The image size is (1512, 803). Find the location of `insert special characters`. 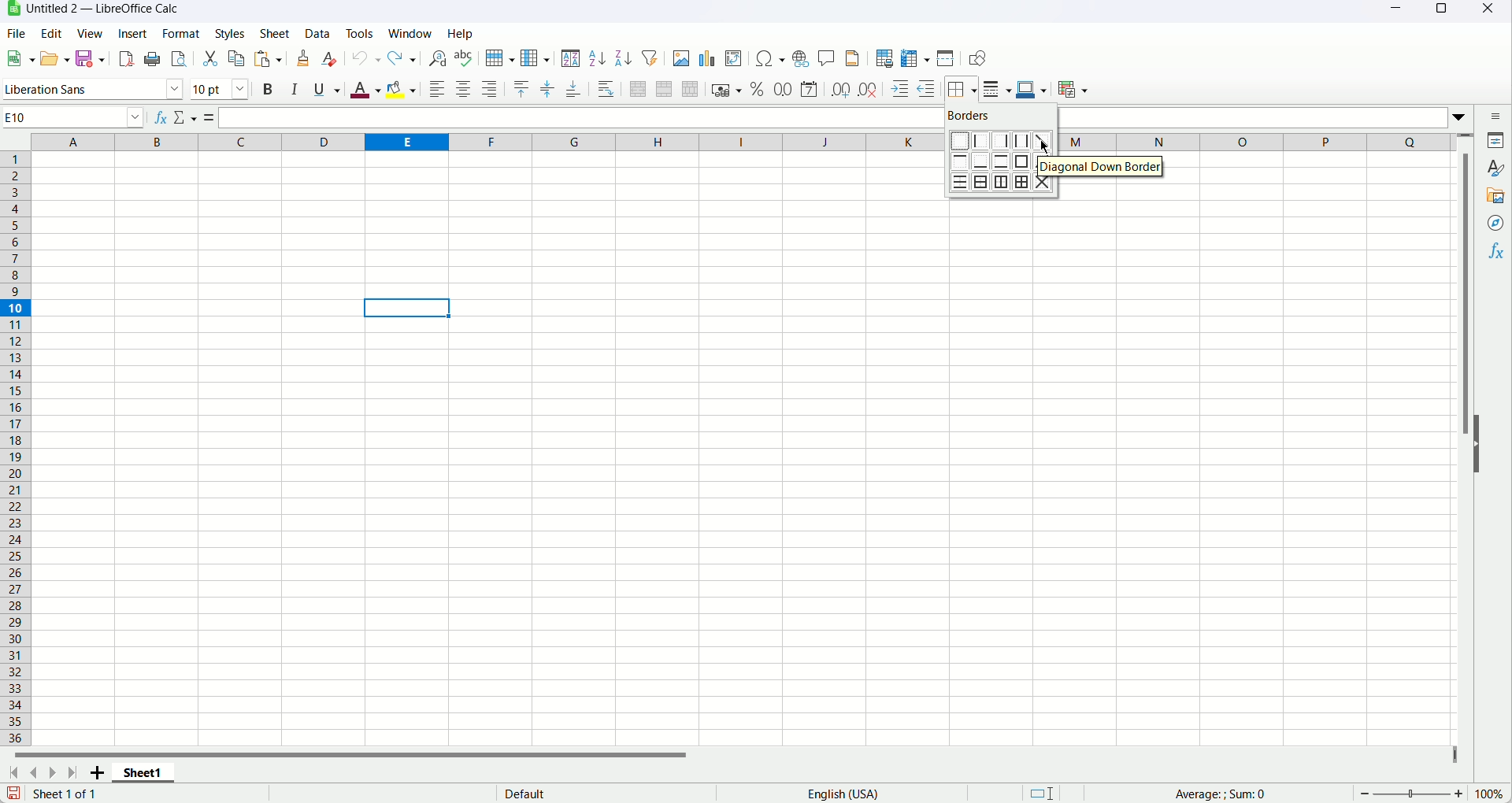

insert special characters is located at coordinates (770, 58).